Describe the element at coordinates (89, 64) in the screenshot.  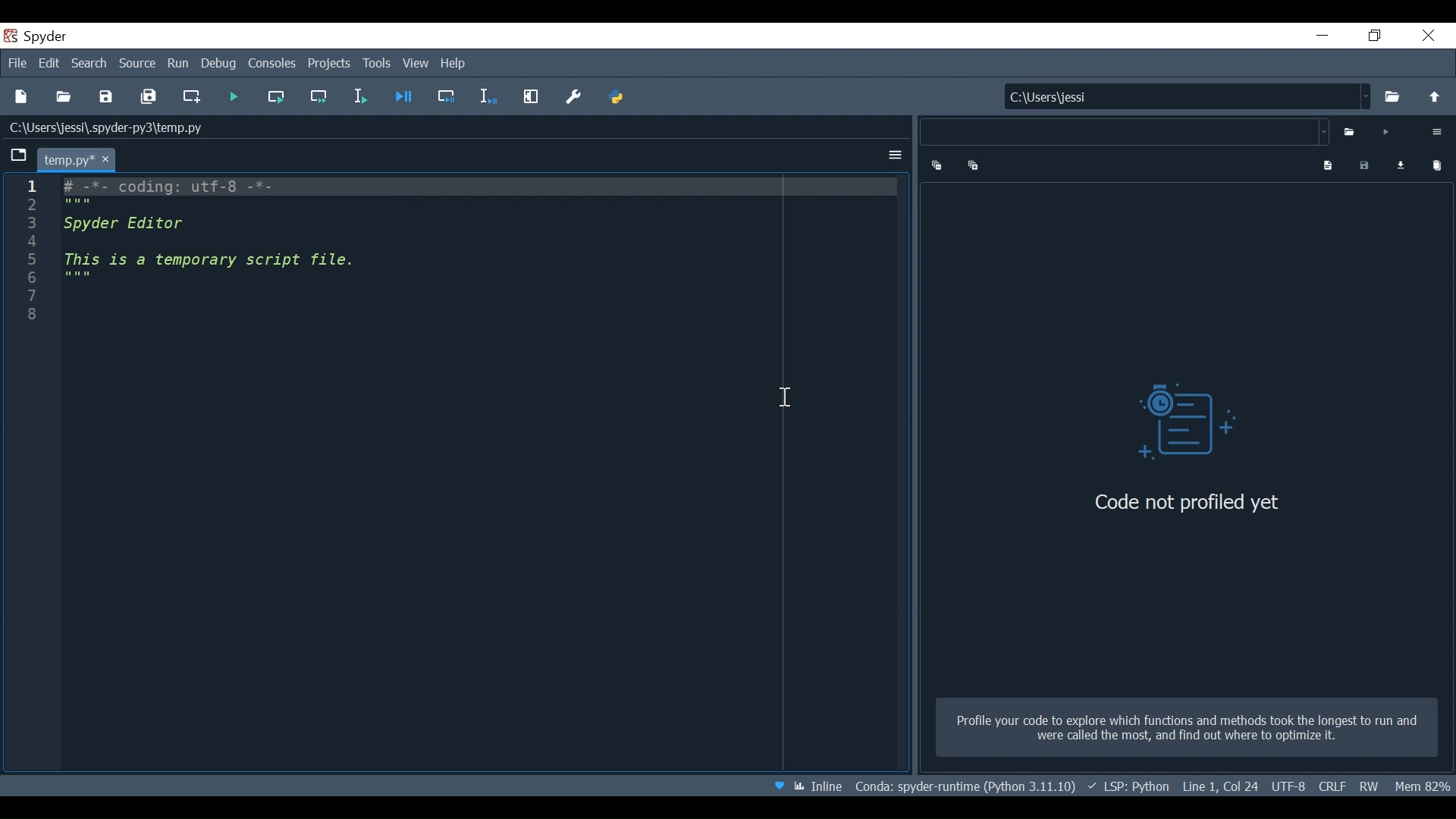
I see `Search` at that location.